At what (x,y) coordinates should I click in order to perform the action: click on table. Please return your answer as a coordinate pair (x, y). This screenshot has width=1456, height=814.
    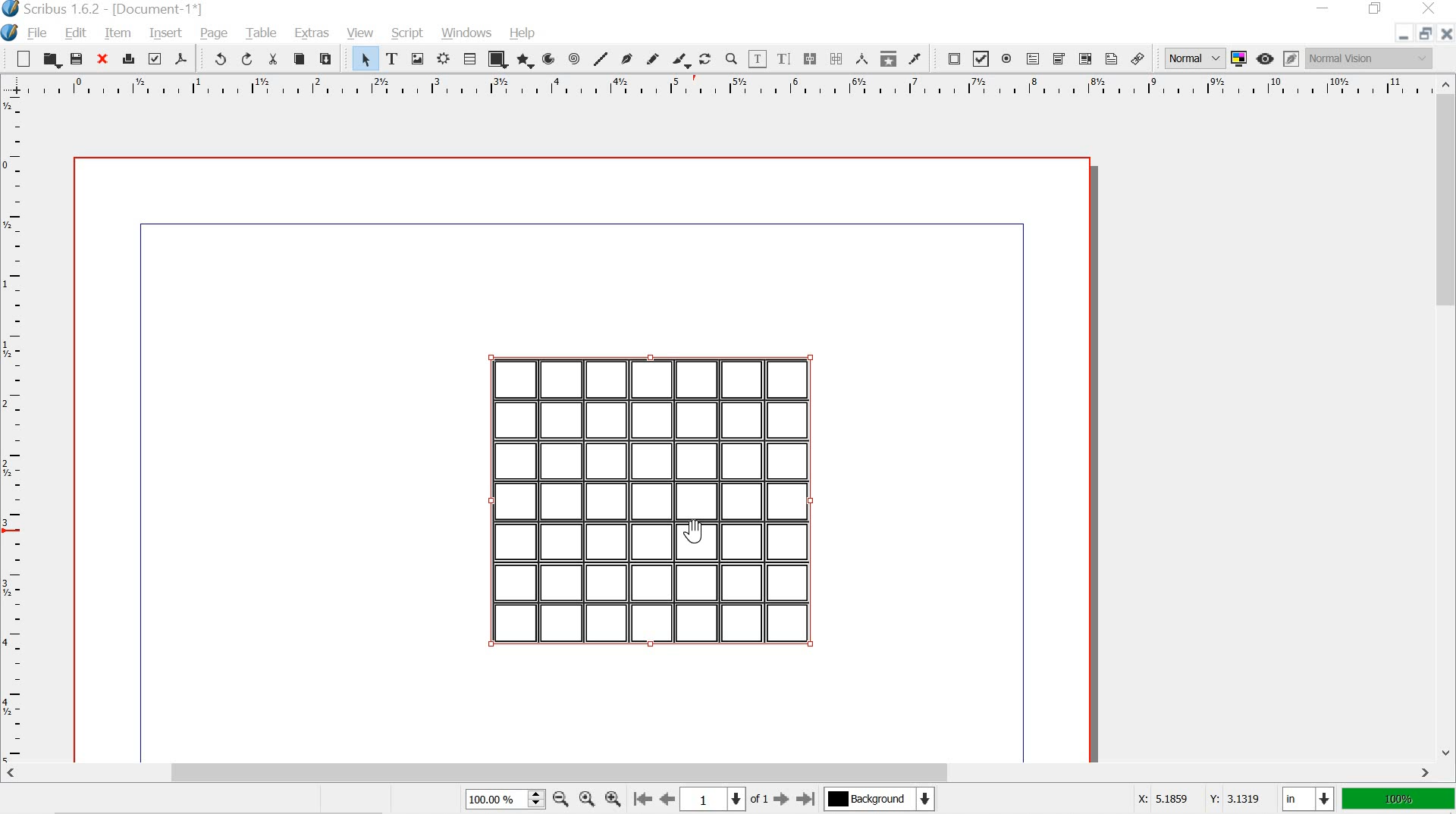
    Looking at the image, I should click on (261, 32).